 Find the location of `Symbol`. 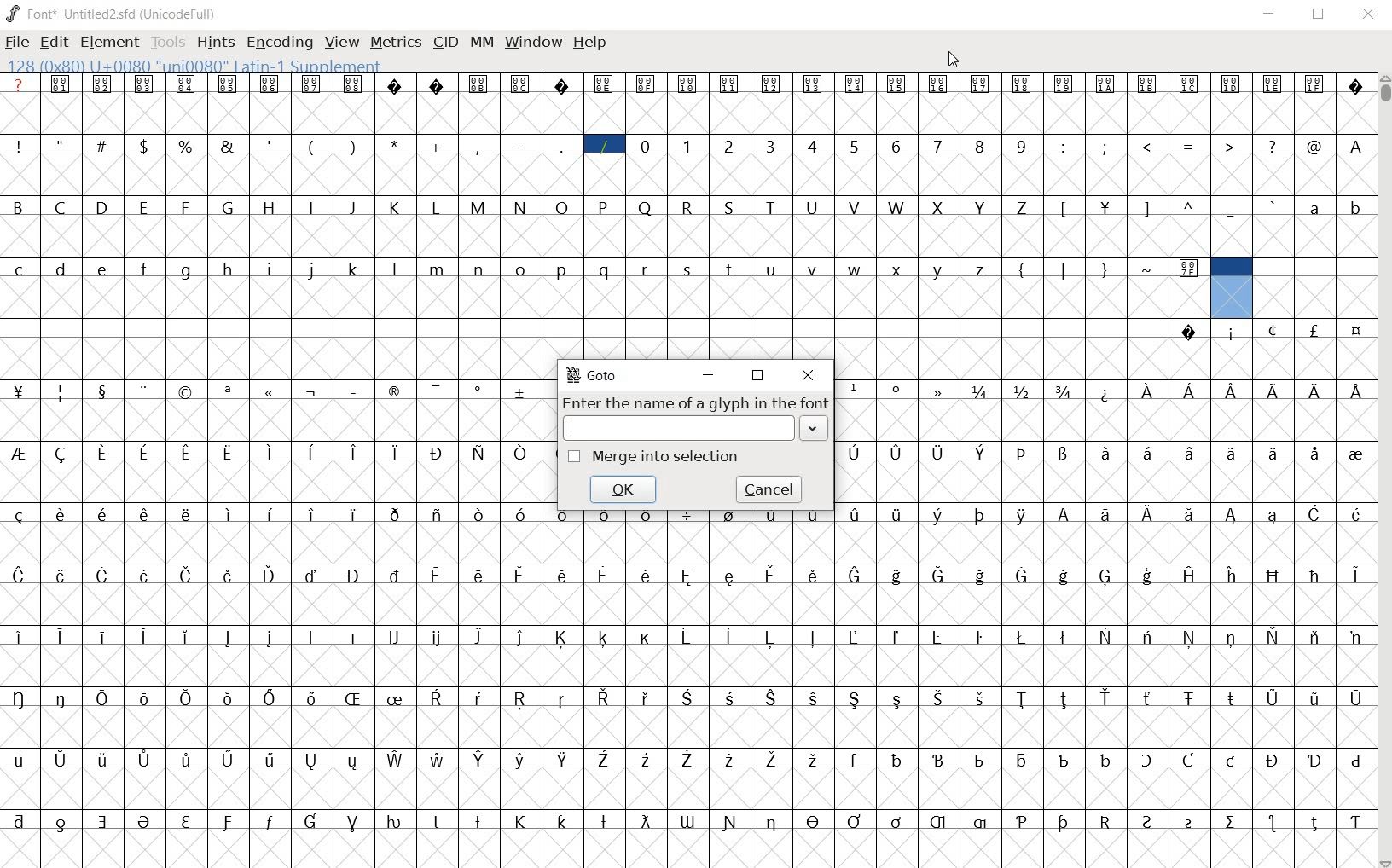

Symbol is located at coordinates (229, 697).